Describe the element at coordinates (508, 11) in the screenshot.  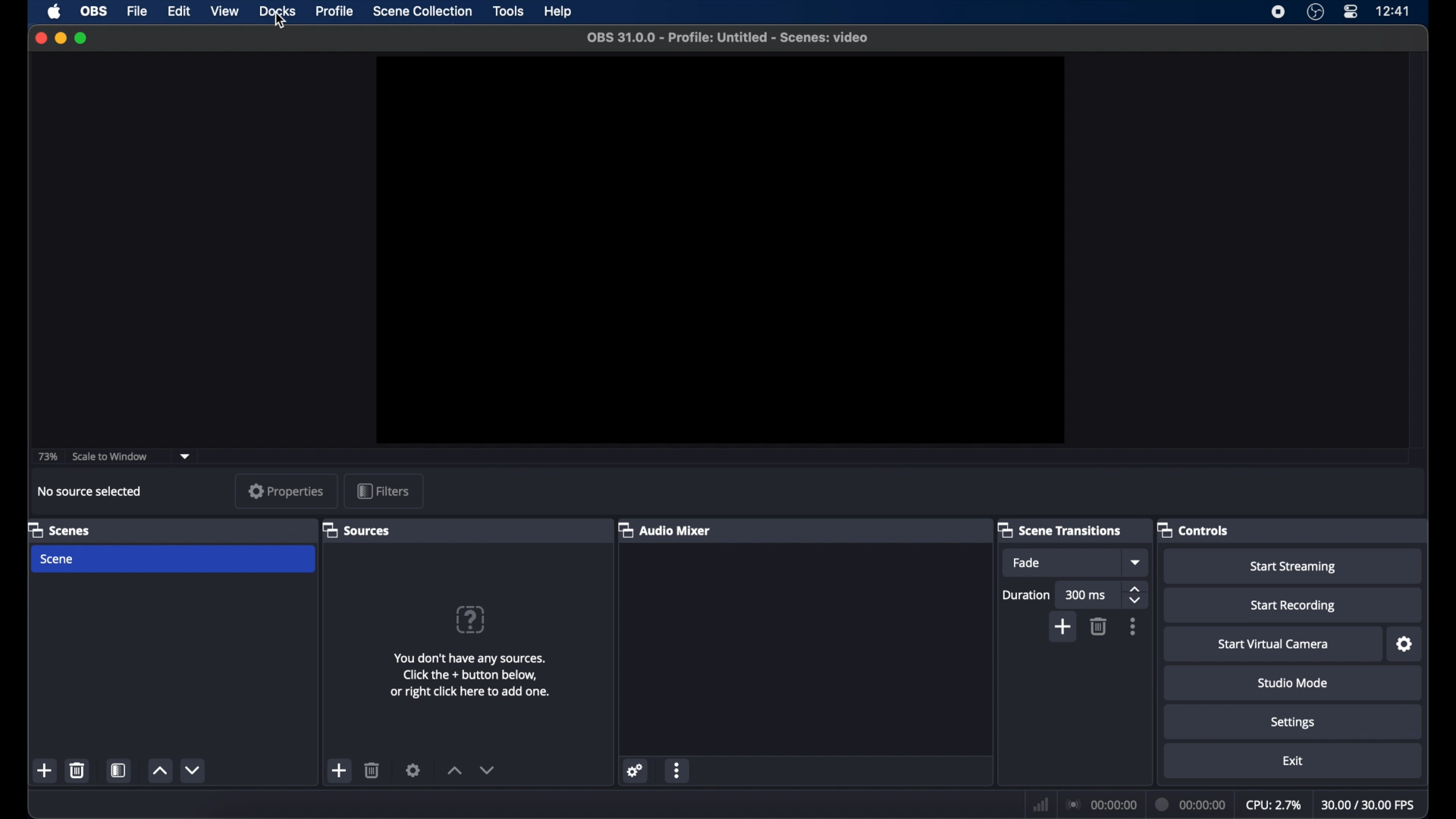
I see `tools` at that location.